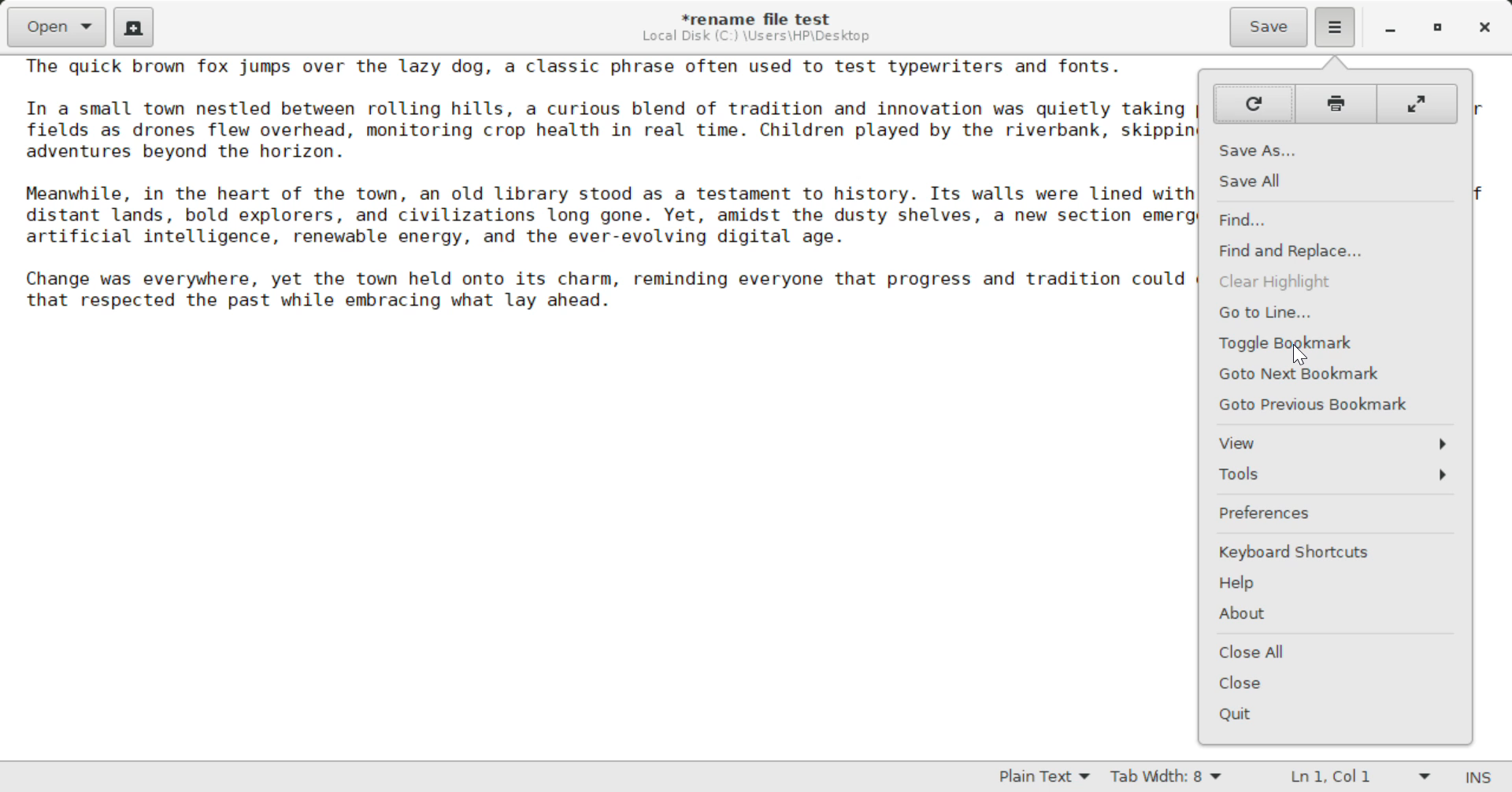 The image size is (1512, 792). Describe the element at coordinates (1336, 552) in the screenshot. I see `Keyboard Shortcuts` at that location.